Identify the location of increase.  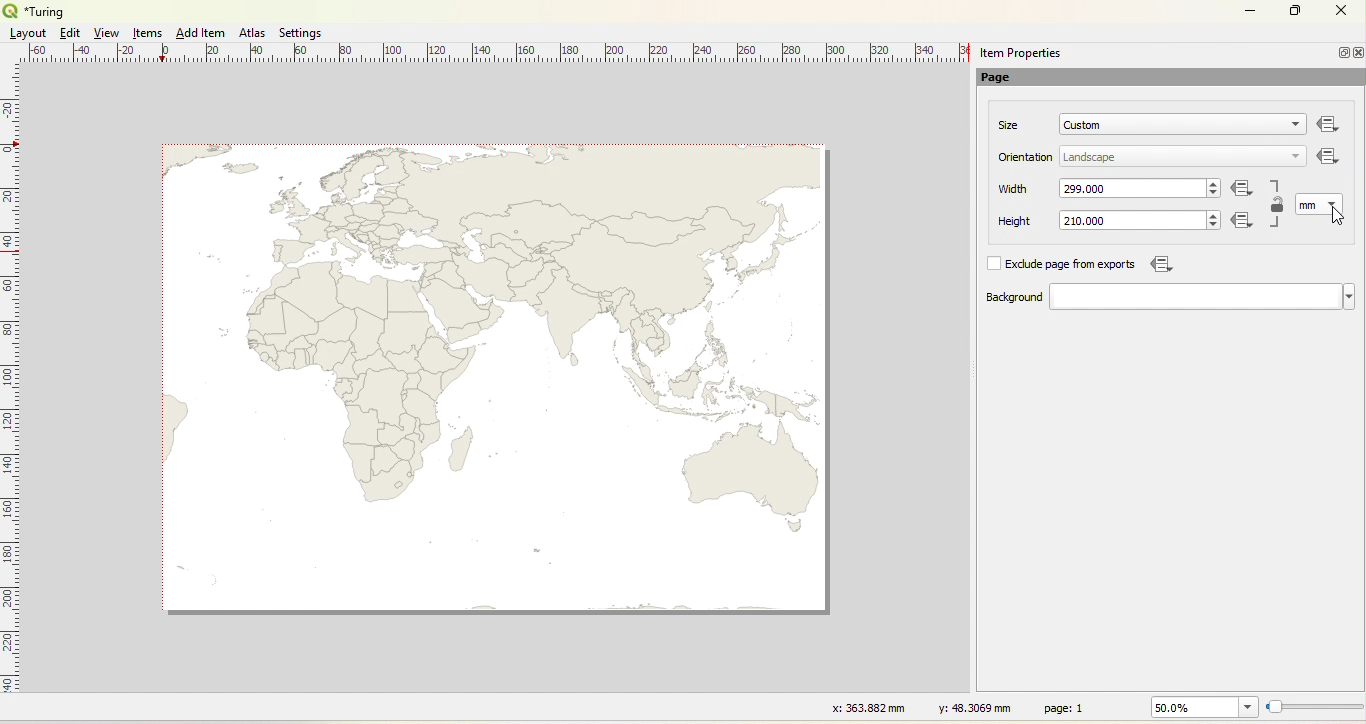
(1211, 214).